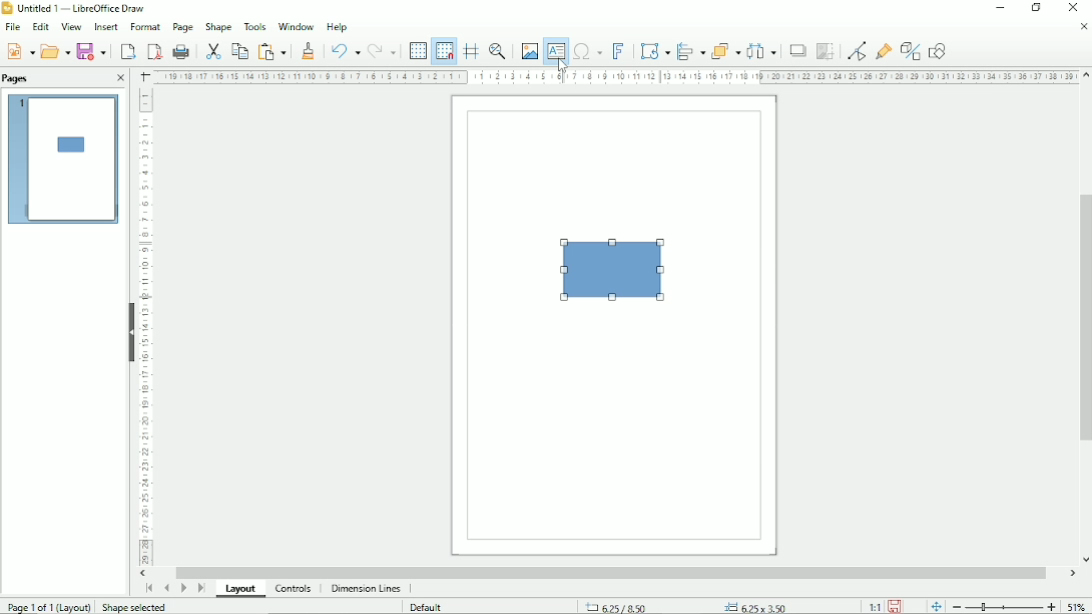  What do you see at coordinates (63, 160) in the screenshot?
I see `Preview` at bounding box center [63, 160].